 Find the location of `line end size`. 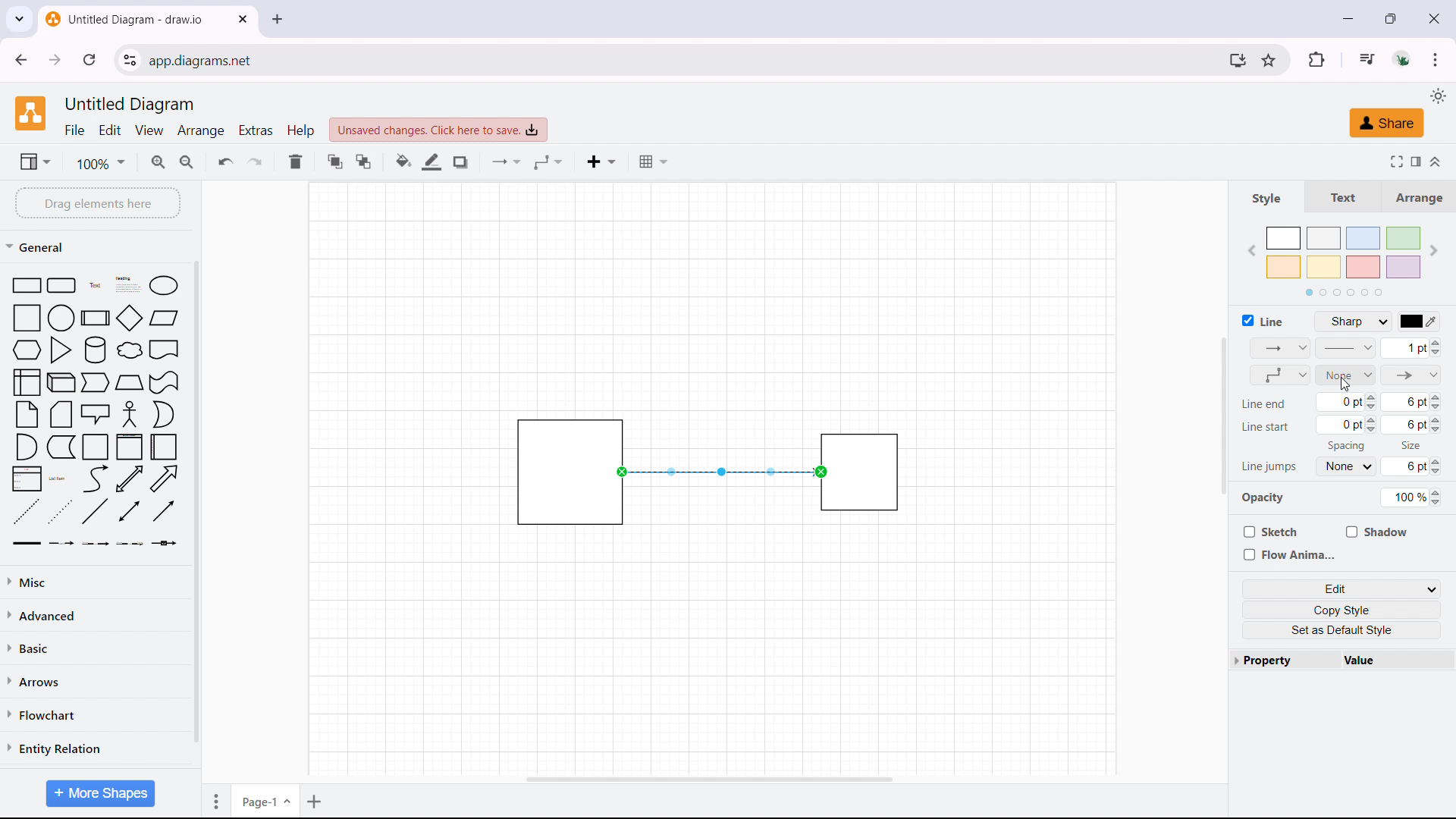

line end size is located at coordinates (1381, 403).